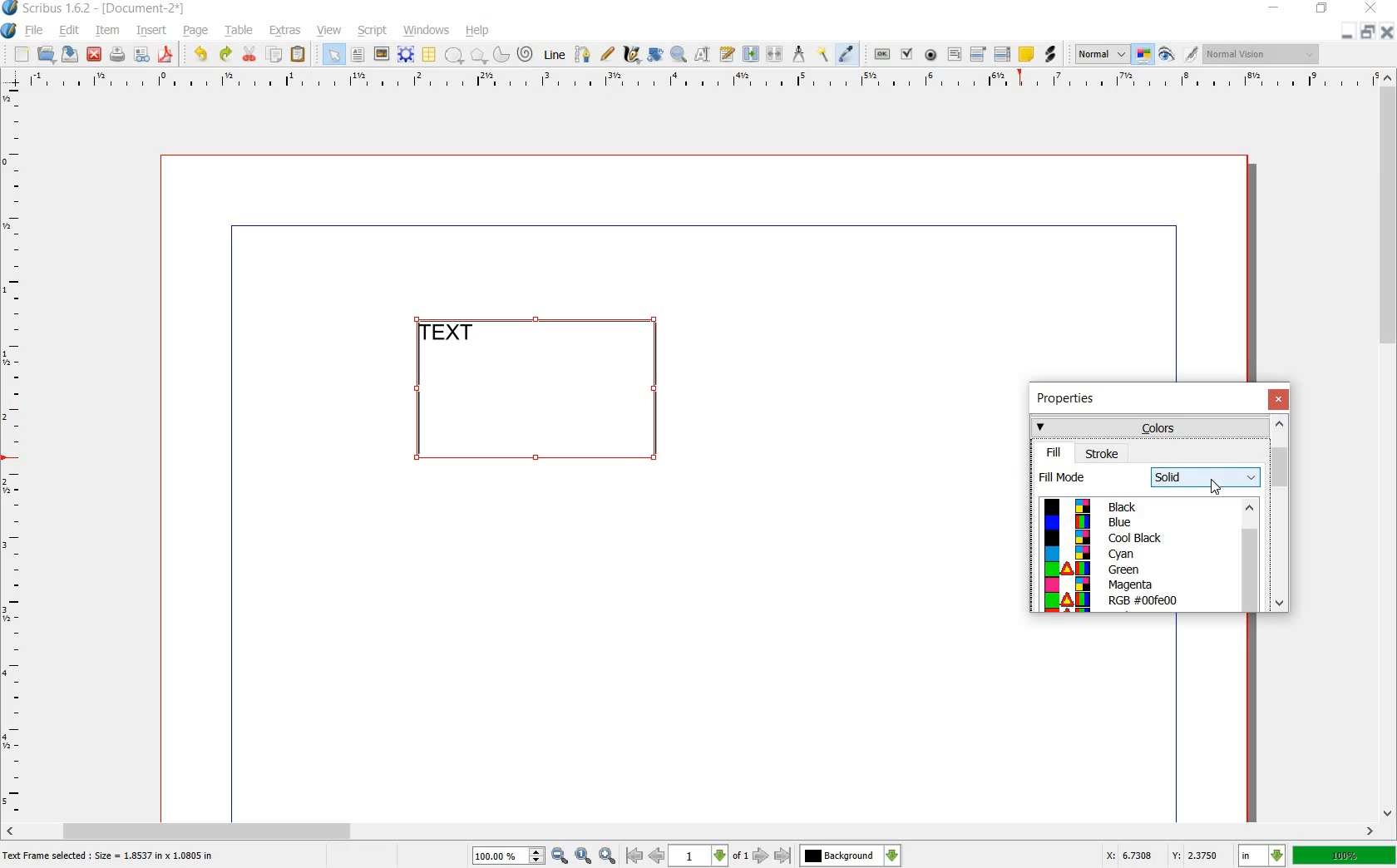 This screenshot has width=1397, height=868. Describe the element at coordinates (106, 32) in the screenshot. I see `item` at that location.